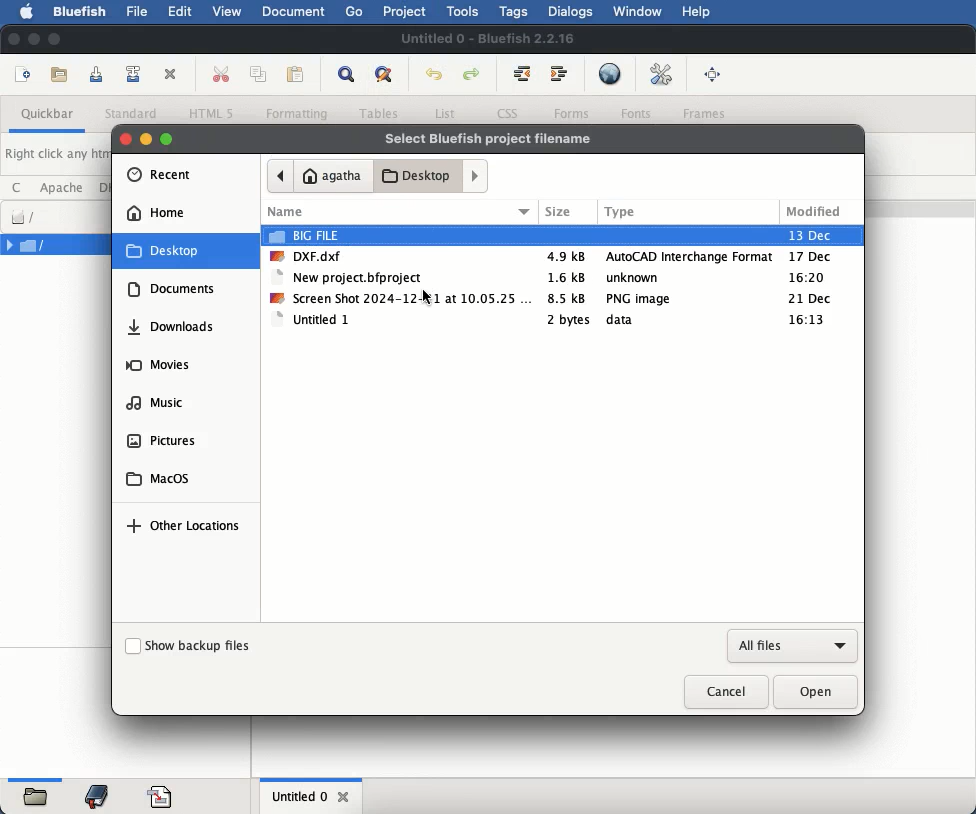  I want to click on close, so click(14, 38).